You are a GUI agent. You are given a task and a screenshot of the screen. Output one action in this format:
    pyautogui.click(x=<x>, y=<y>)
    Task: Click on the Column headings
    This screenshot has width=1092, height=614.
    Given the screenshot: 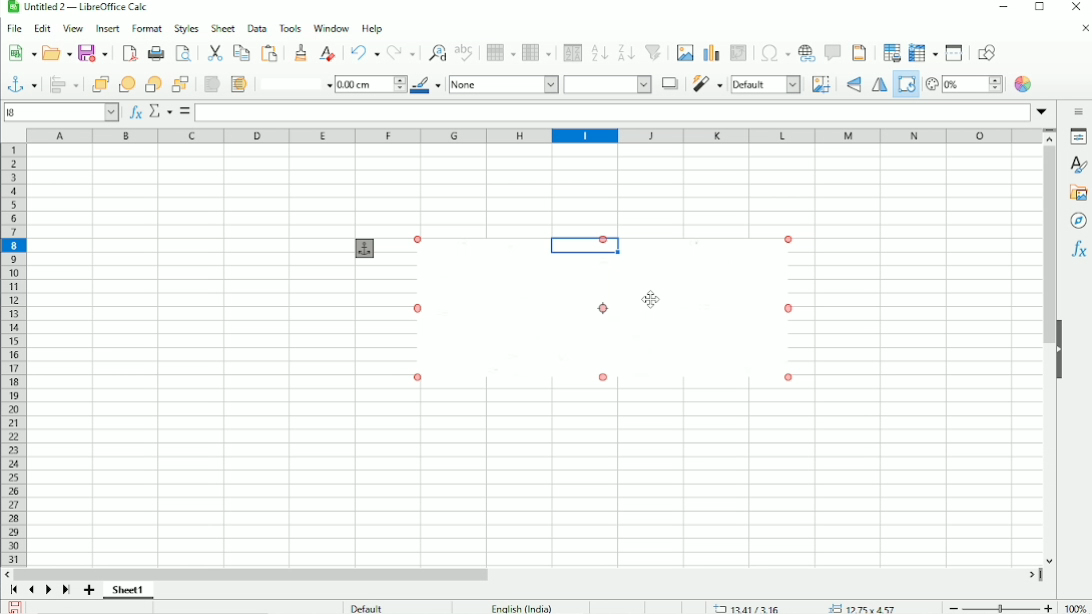 What is the action you would take?
    pyautogui.click(x=532, y=136)
    